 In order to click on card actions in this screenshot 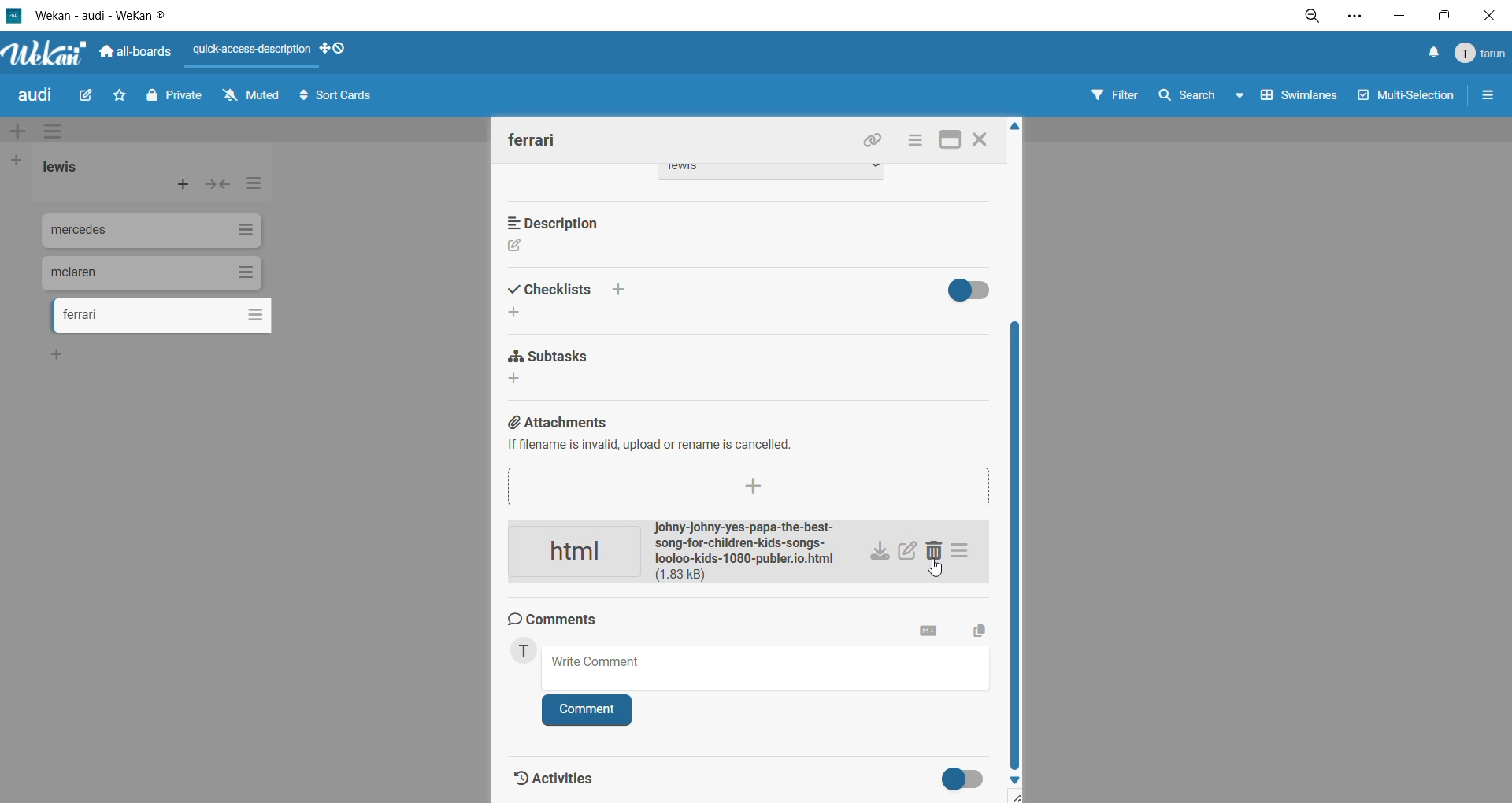, I will do `click(914, 142)`.